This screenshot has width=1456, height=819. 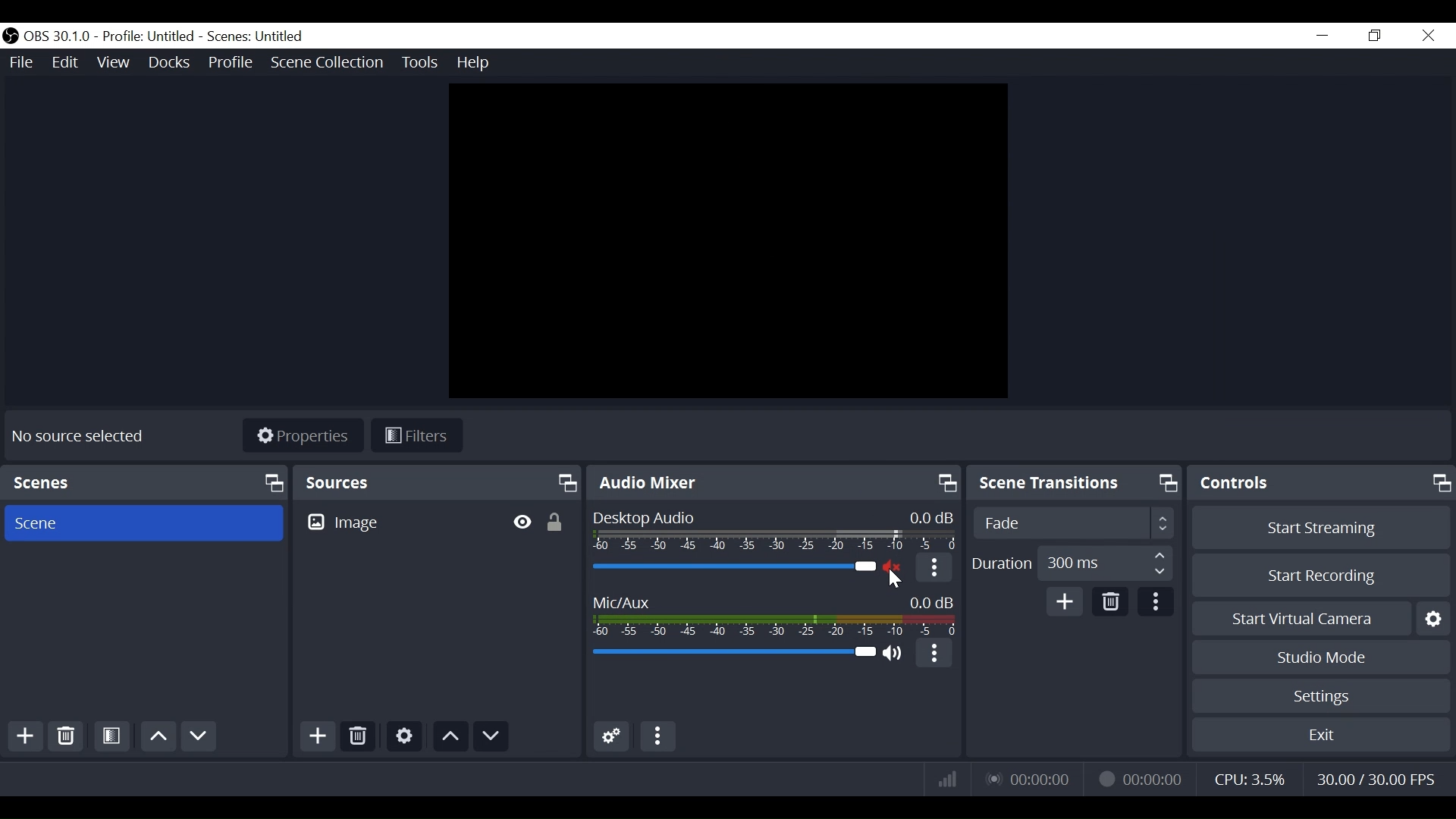 I want to click on Desktop Audio , so click(x=774, y=531).